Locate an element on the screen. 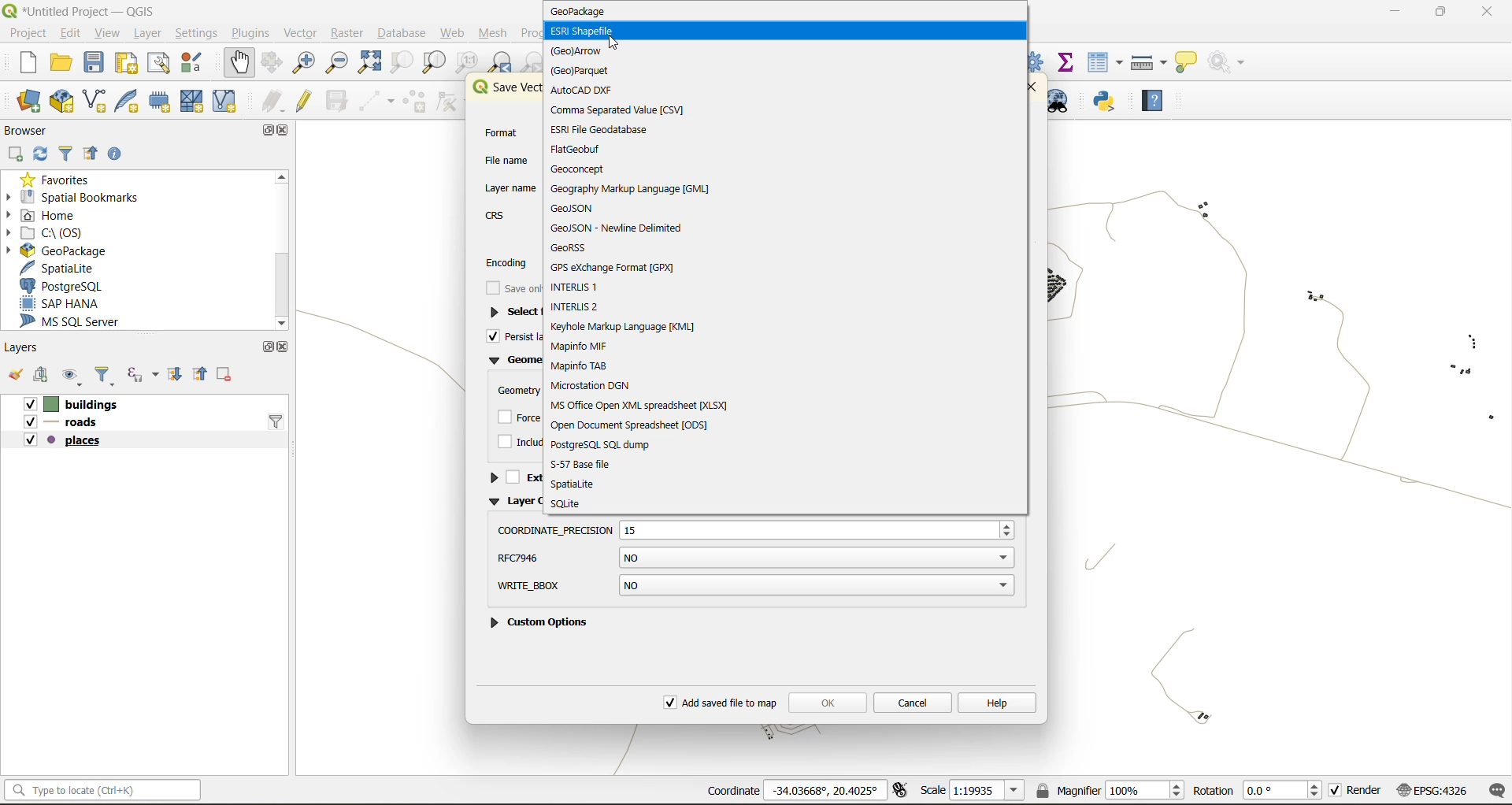 This screenshot has width=1512, height=805. help is located at coordinates (1157, 97).